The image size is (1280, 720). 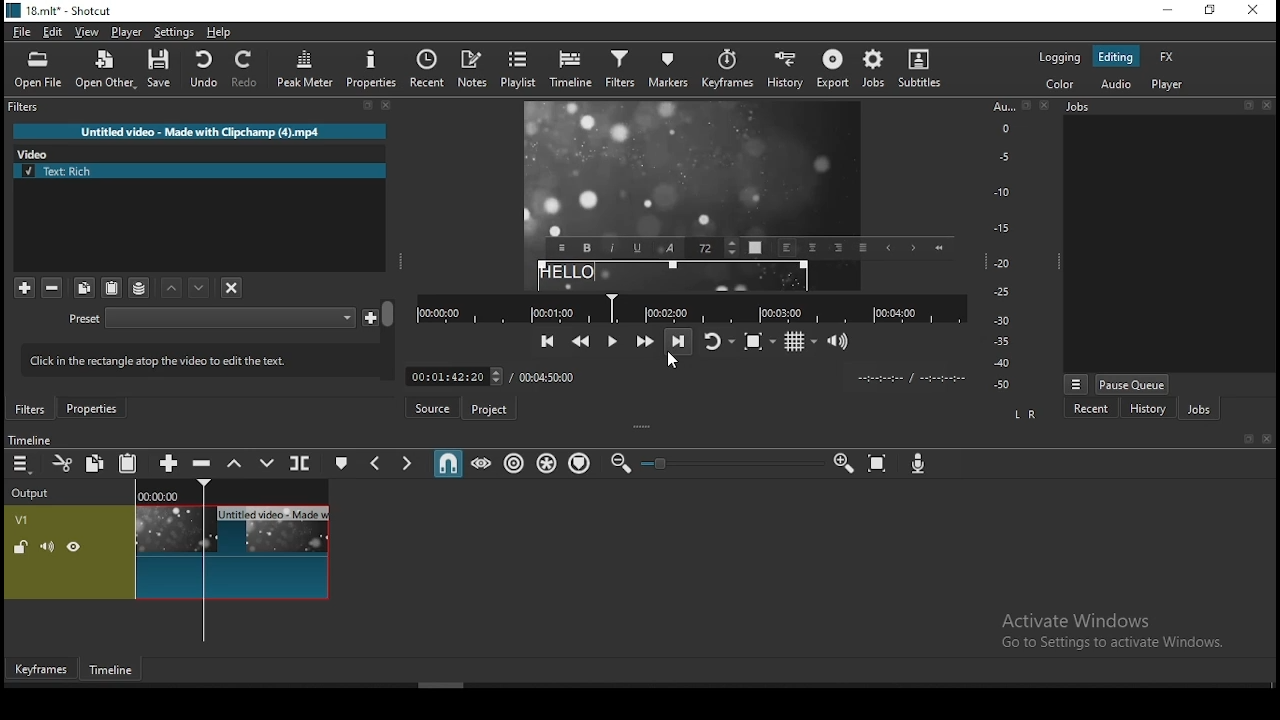 I want to click on cut, so click(x=62, y=463).